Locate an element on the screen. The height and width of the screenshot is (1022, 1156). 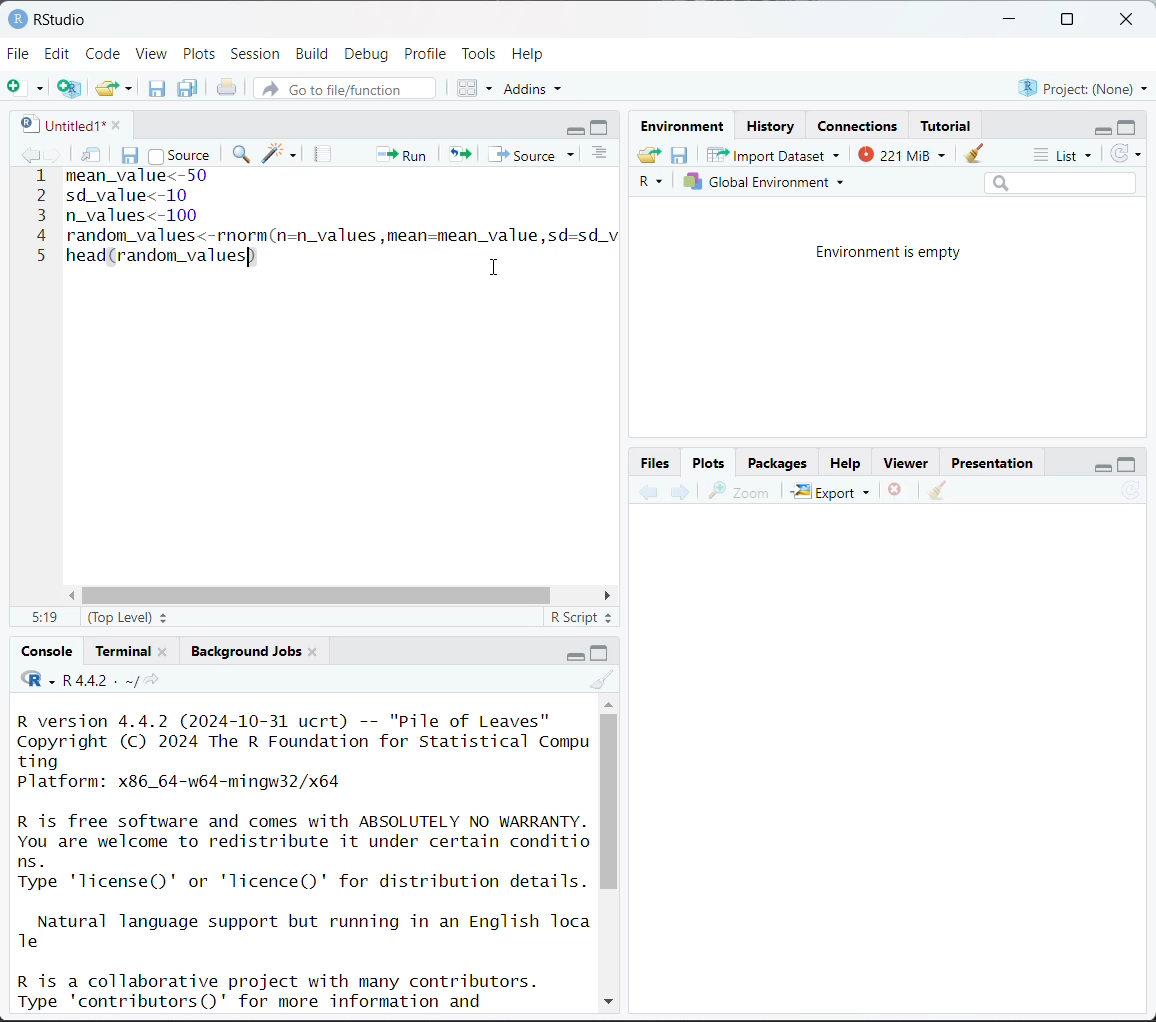
Tutorial is located at coordinates (948, 123).